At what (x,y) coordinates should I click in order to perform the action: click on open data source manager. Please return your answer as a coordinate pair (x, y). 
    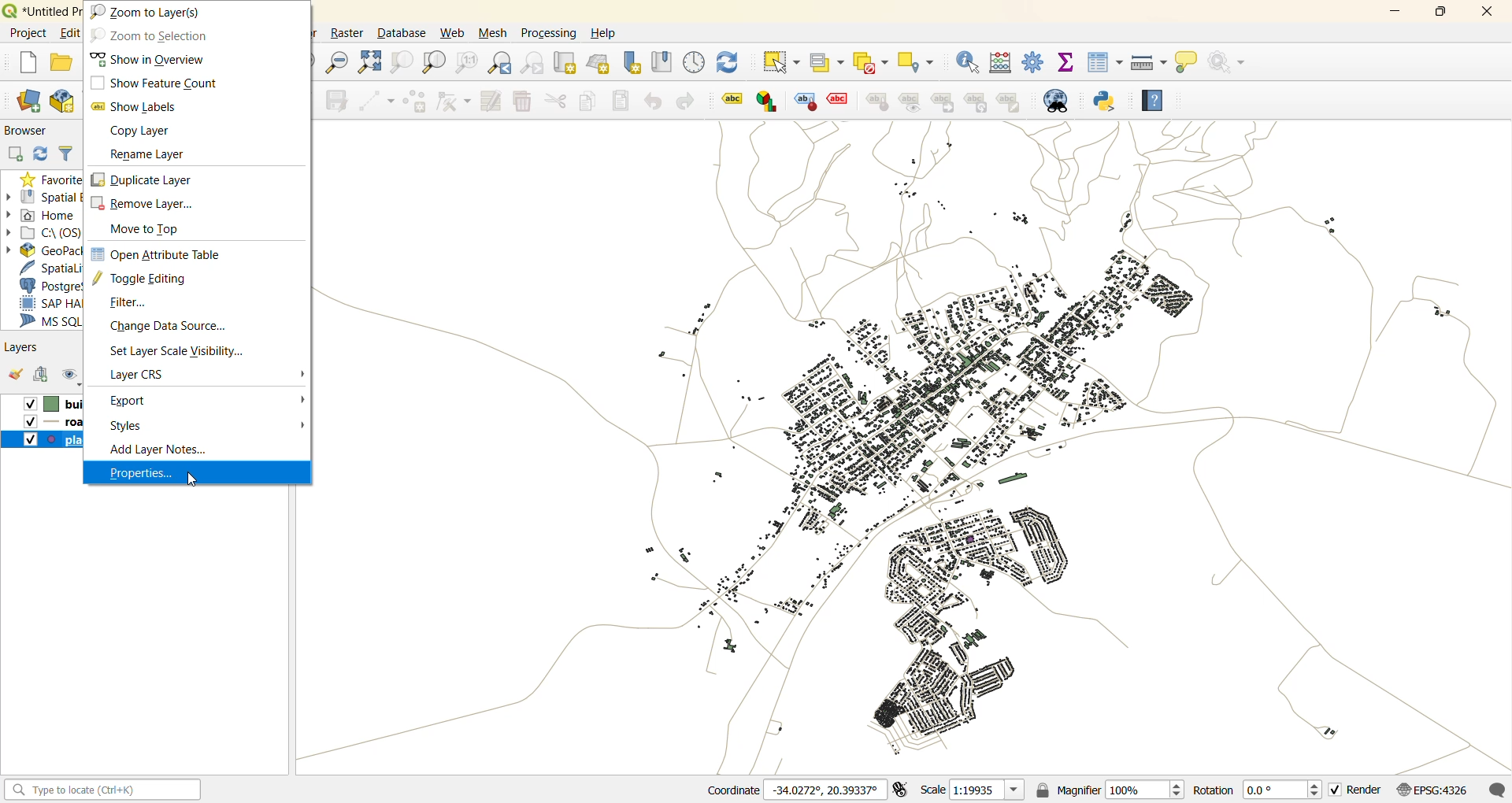
    Looking at the image, I should click on (33, 101).